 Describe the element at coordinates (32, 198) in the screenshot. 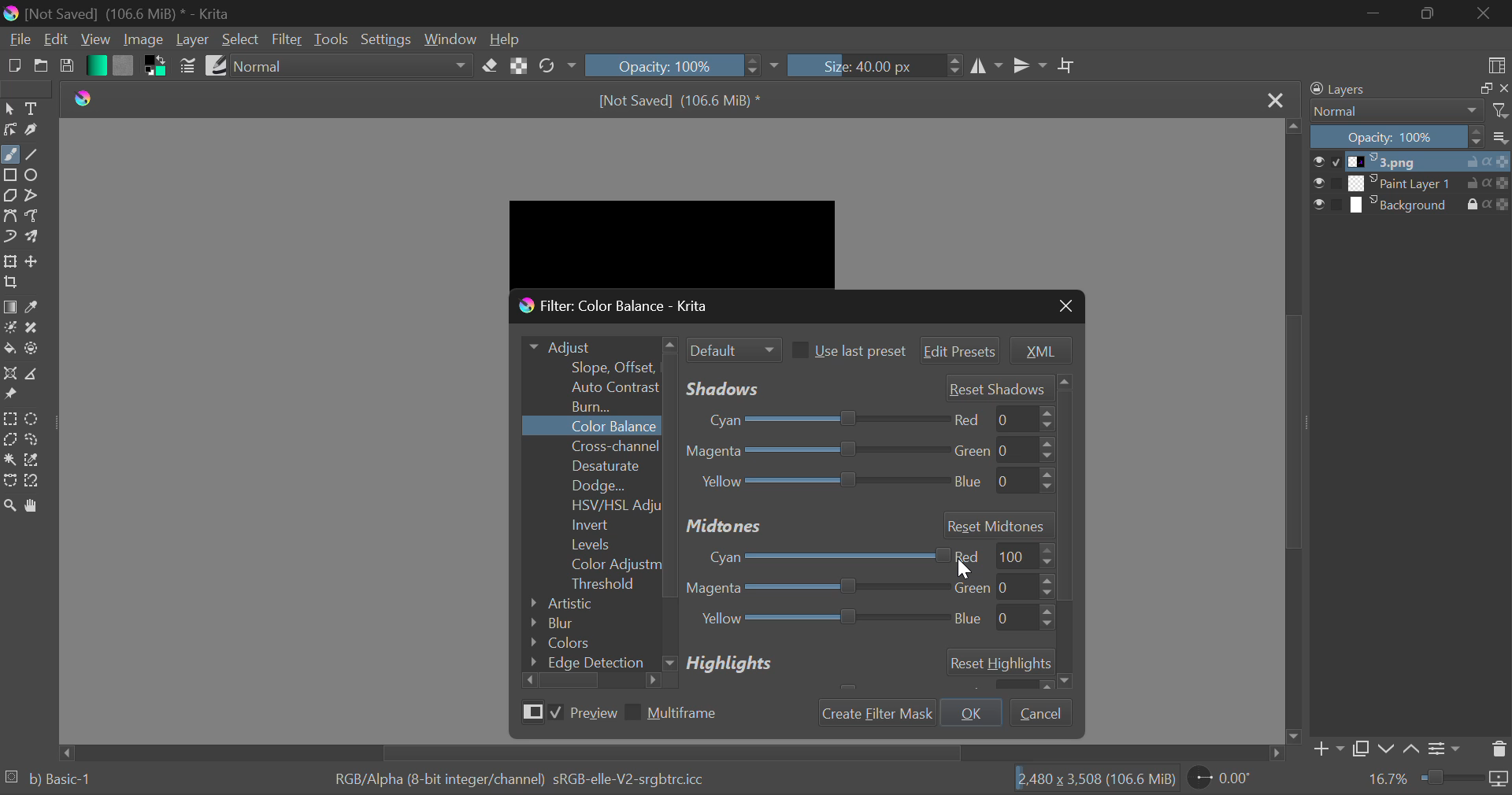

I see `Polylines` at that location.